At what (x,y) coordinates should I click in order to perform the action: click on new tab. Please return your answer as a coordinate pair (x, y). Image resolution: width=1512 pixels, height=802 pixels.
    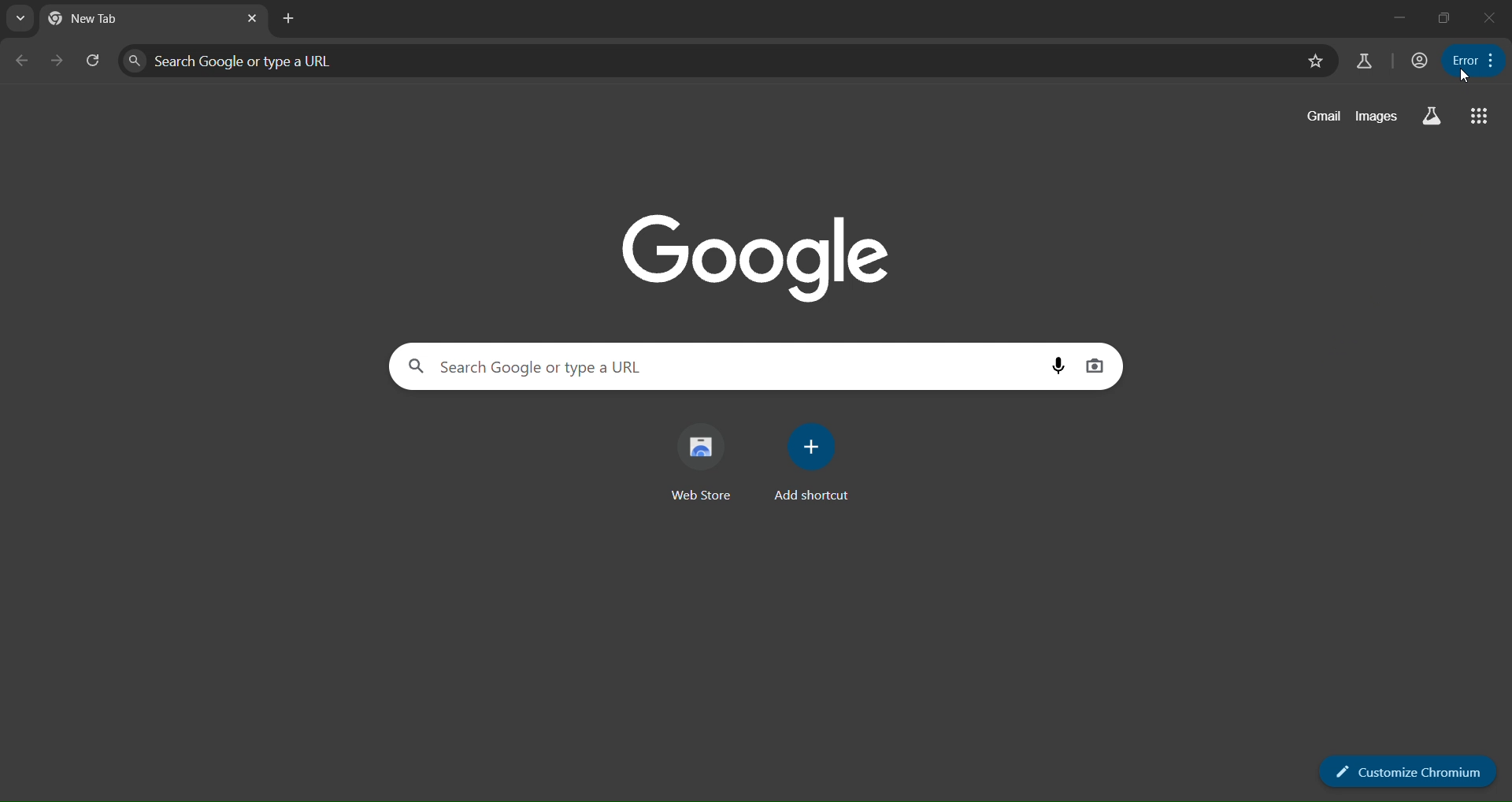
    Looking at the image, I should click on (289, 19).